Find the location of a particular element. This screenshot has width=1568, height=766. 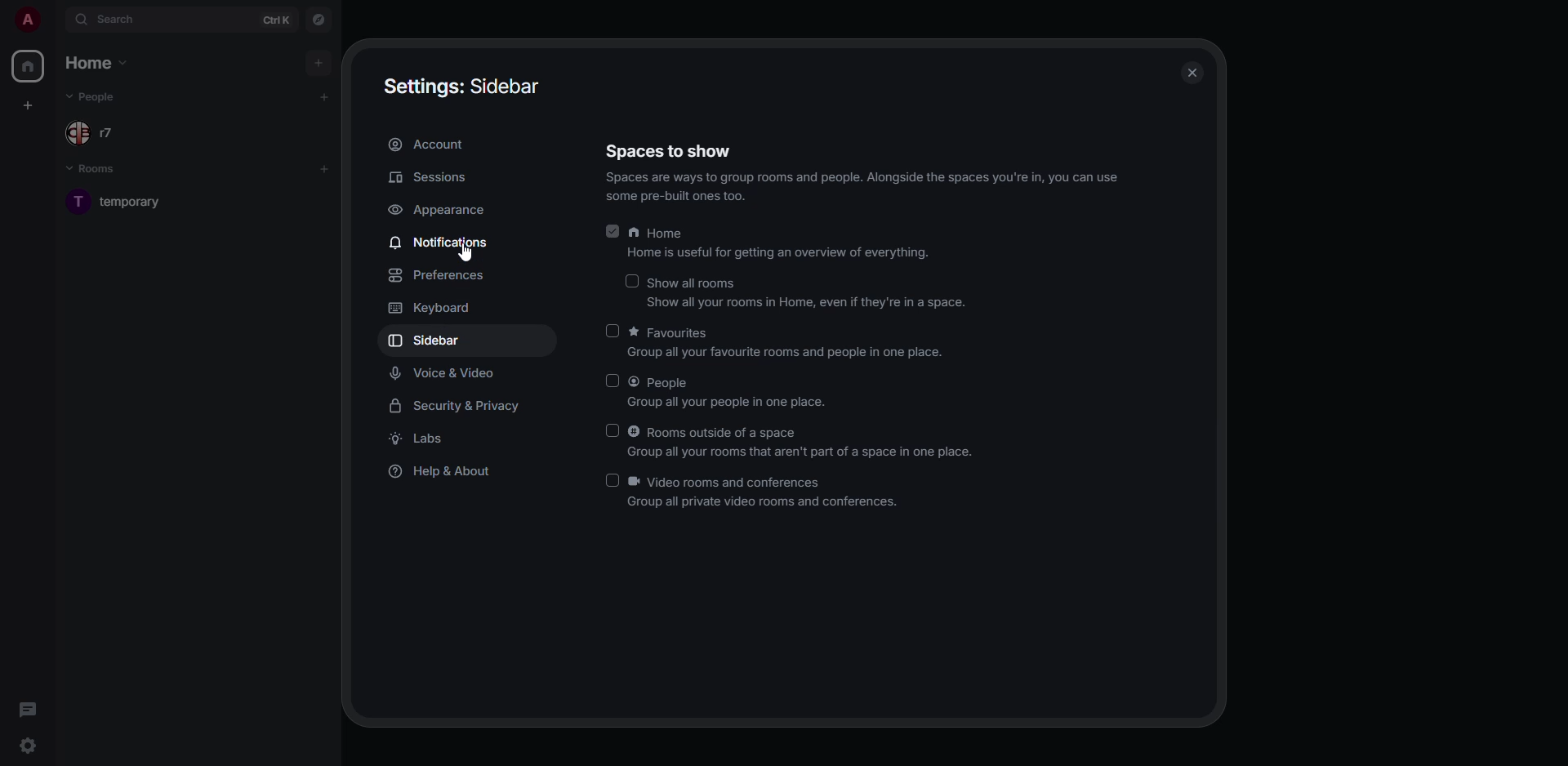

people is located at coordinates (96, 132).